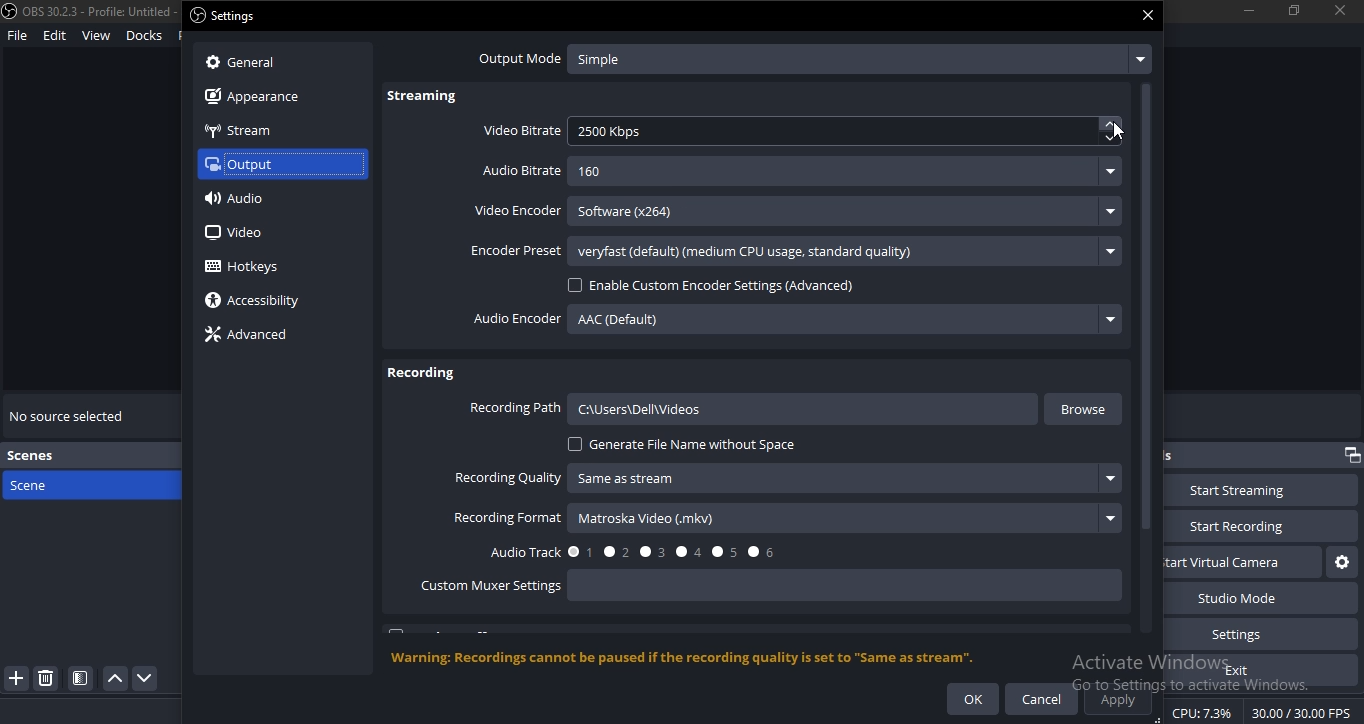 The width and height of the screenshot is (1364, 724). I want to click on veryfast (default) (medium CPU usage. standard quality), so click(843, 252).